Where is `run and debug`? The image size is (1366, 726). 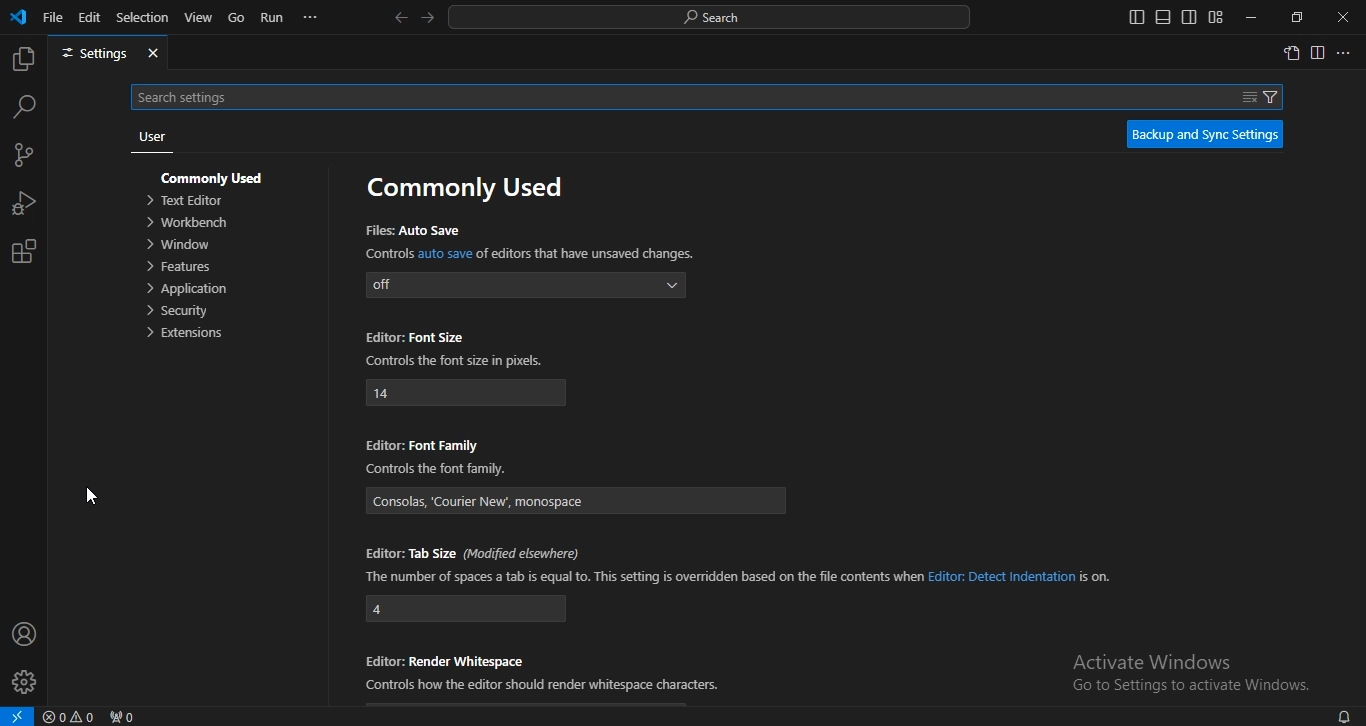
run and debug is located at coordinates (24, 206).